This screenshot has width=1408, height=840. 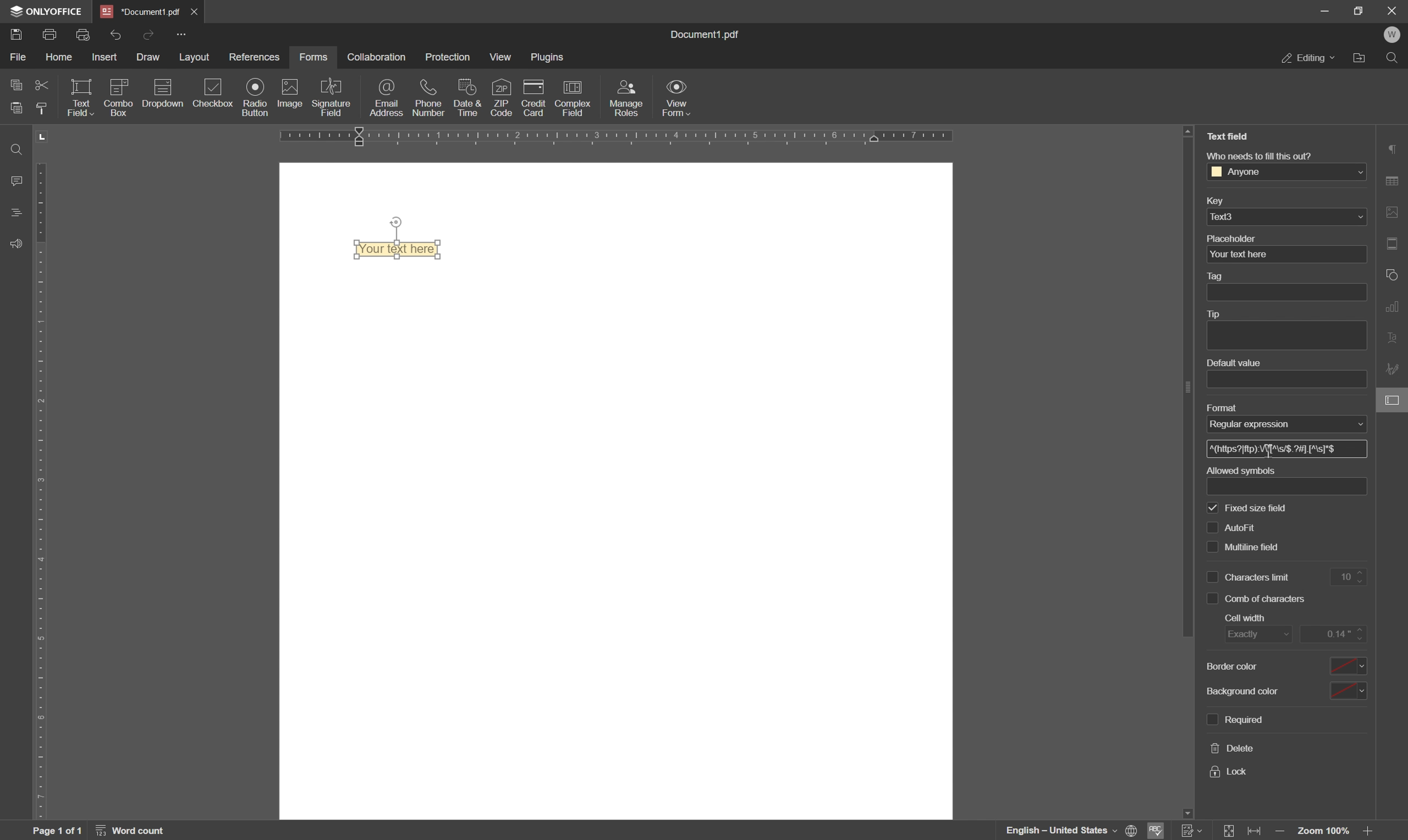 What do you see at coordinates (534, 98) in the screenshot?
I see `credit card` at bounding box center [534, 98].